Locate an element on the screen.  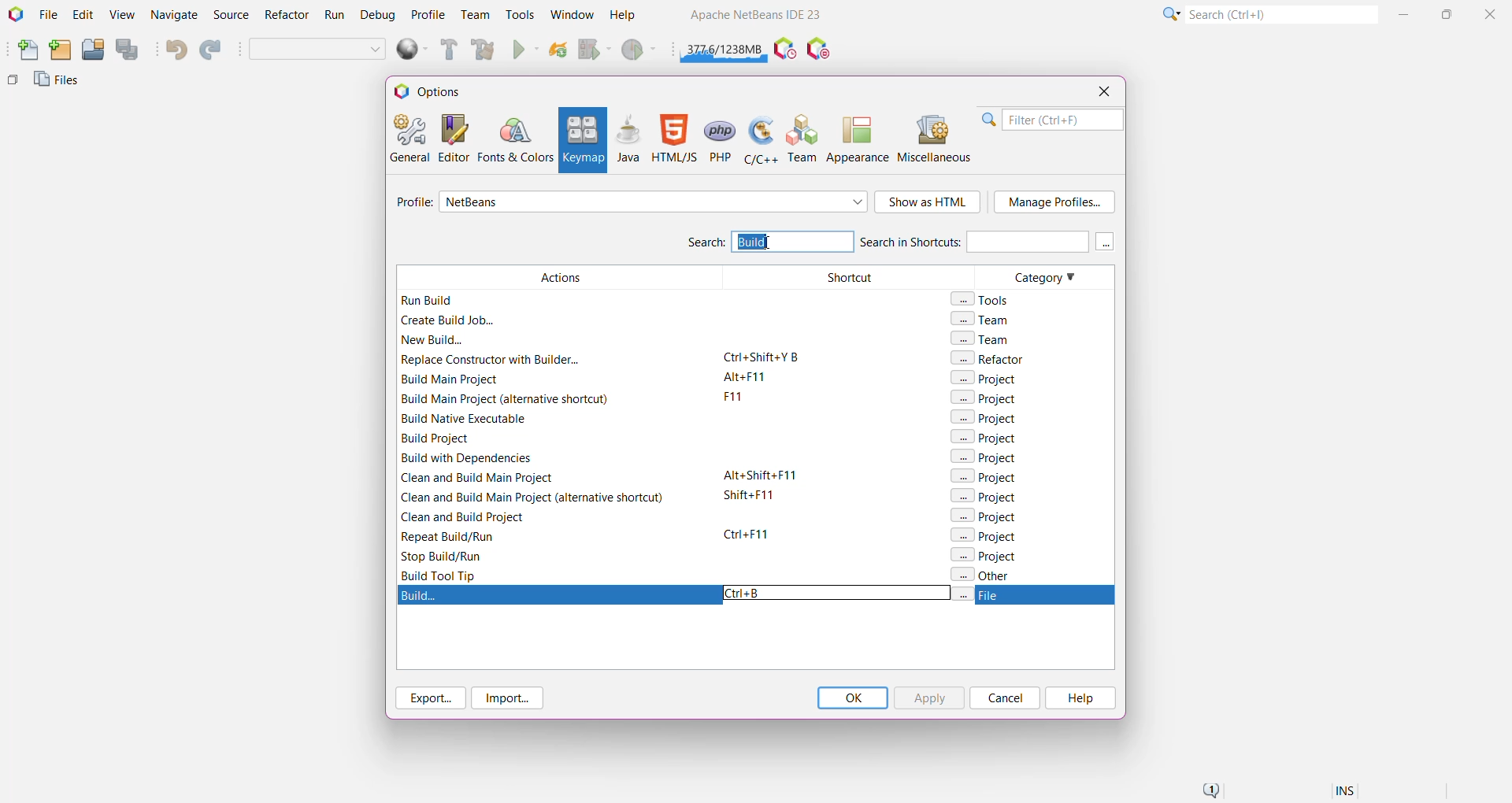
OK is located at coordinates (852, 698).